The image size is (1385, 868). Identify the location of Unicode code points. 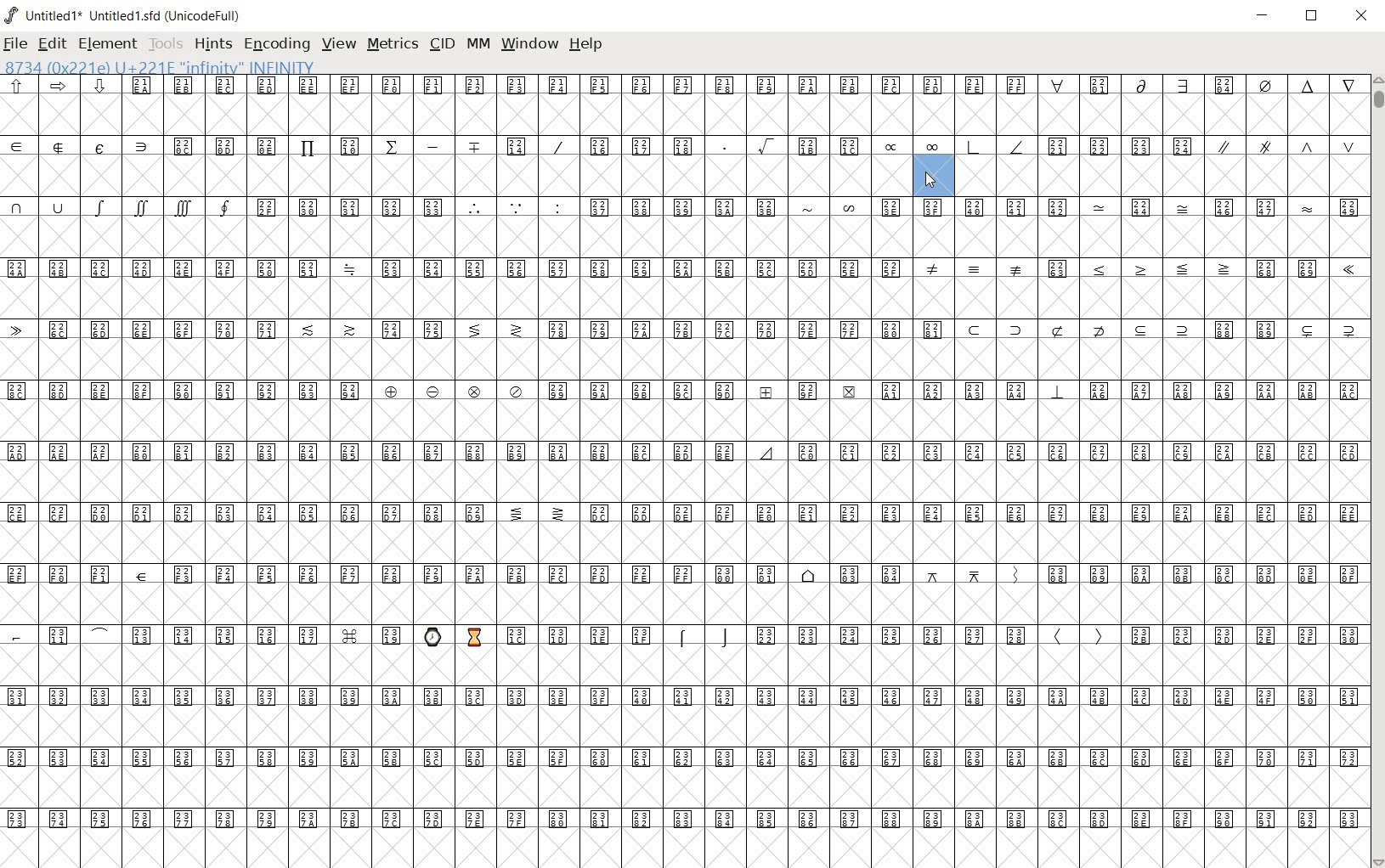
(688, 816).